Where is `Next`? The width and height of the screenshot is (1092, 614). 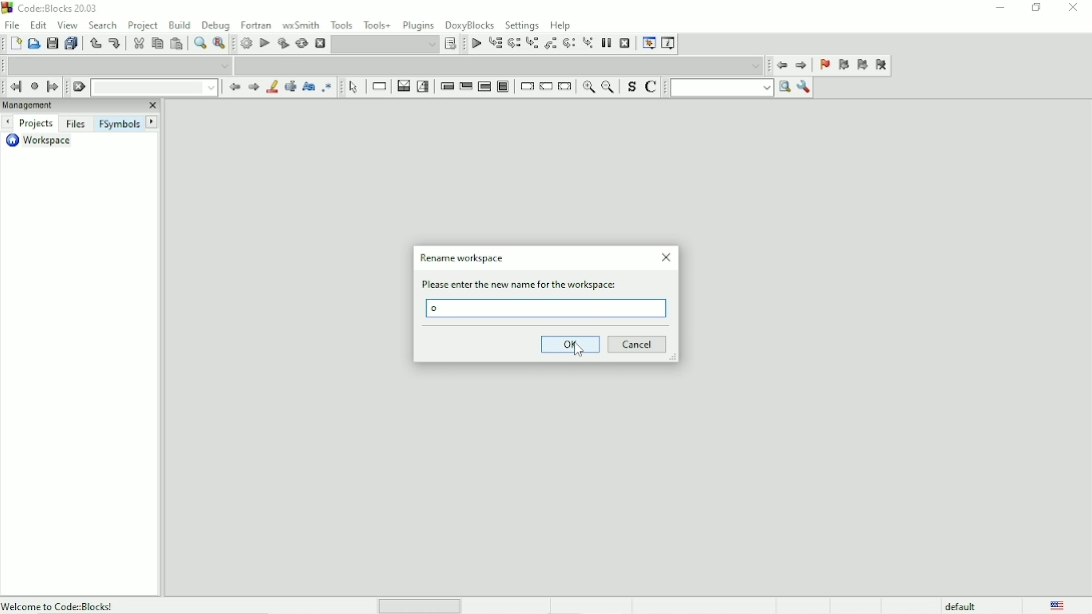 Next is located at coordinates (152, 122).